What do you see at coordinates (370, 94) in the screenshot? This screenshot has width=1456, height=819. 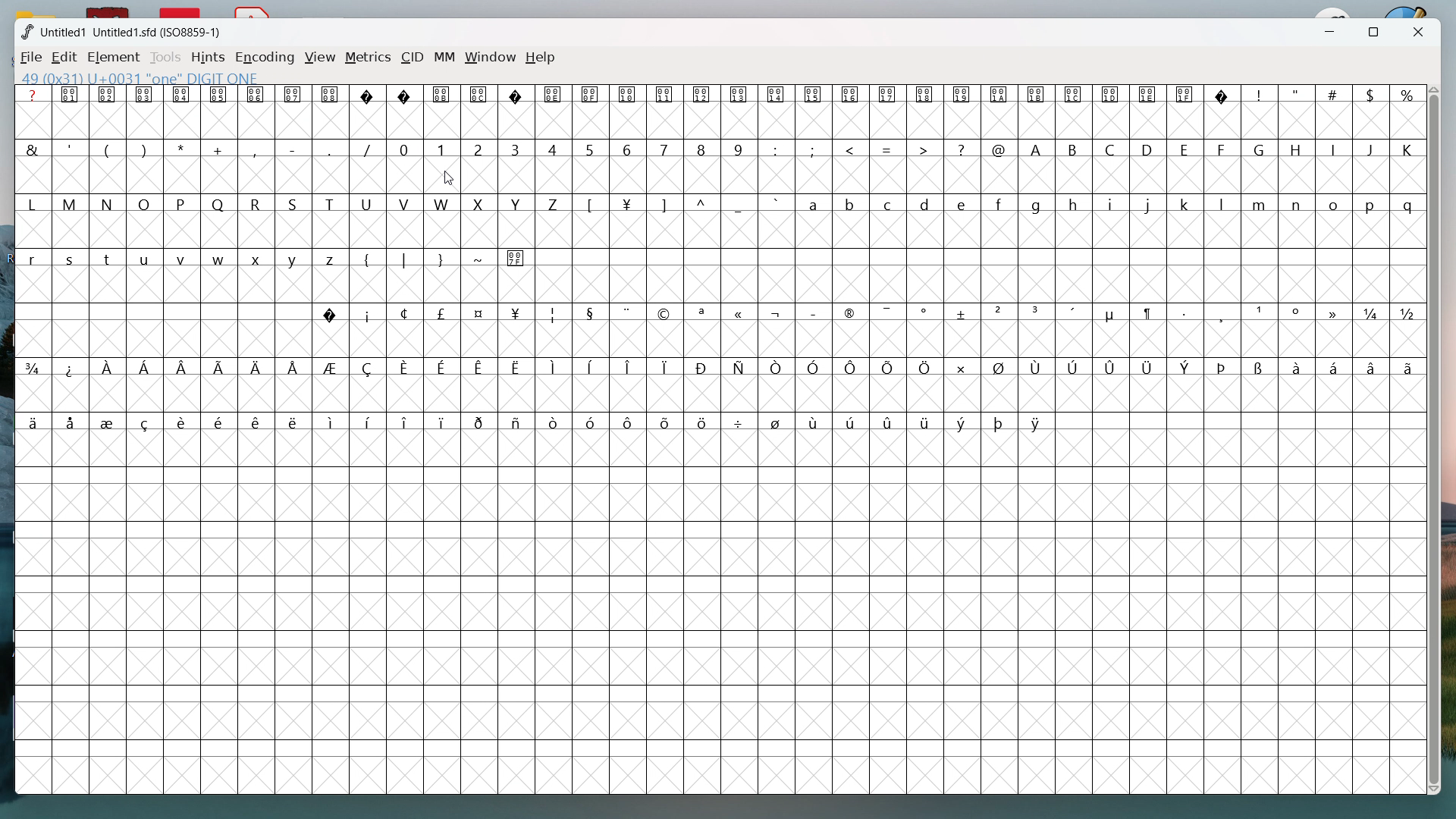 I see `symbol` at bounding box center [370, 94].